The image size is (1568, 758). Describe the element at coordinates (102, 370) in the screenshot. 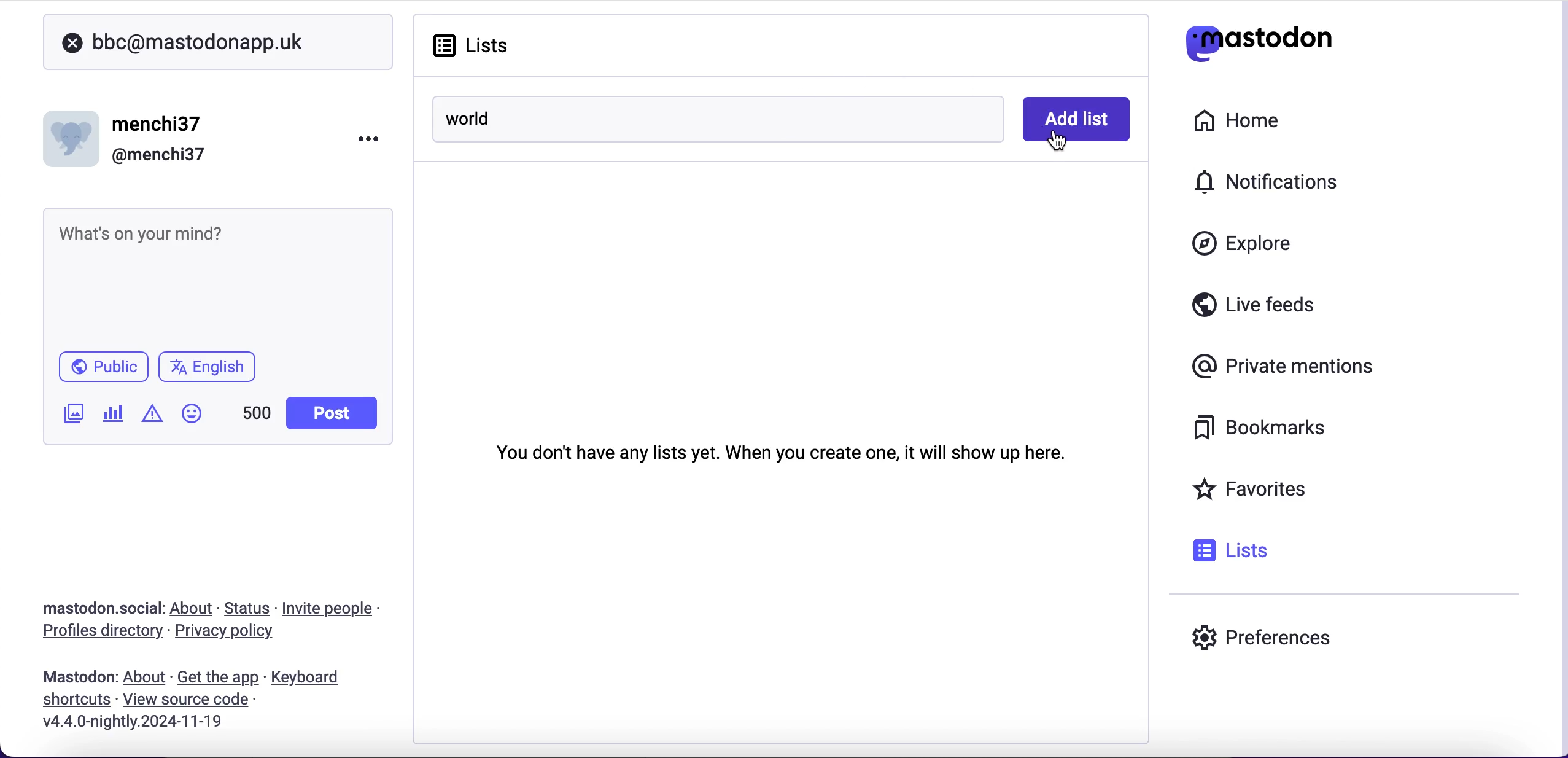

I see `public` at that location.